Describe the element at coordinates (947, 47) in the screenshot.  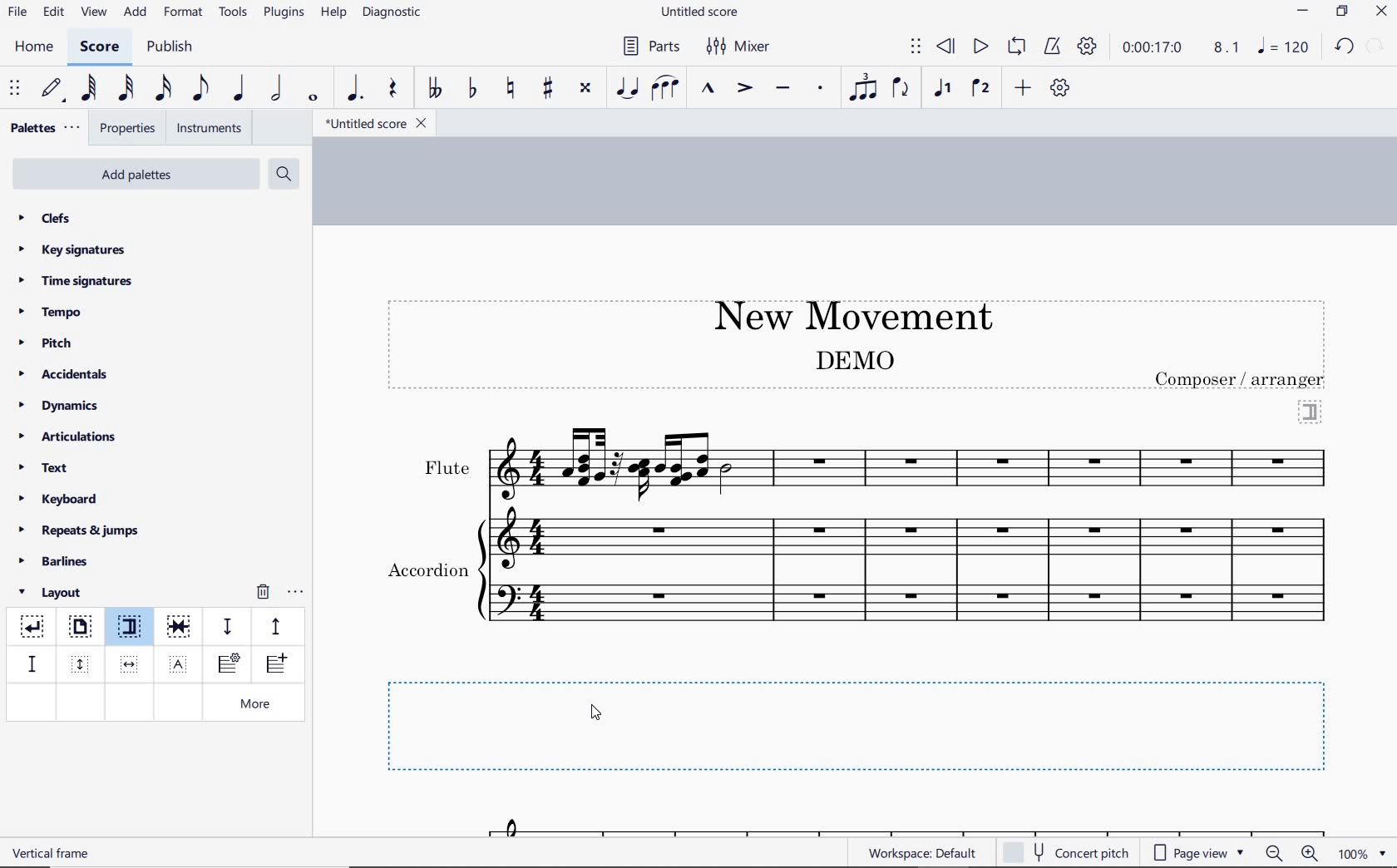
I see `rewind` at that location.